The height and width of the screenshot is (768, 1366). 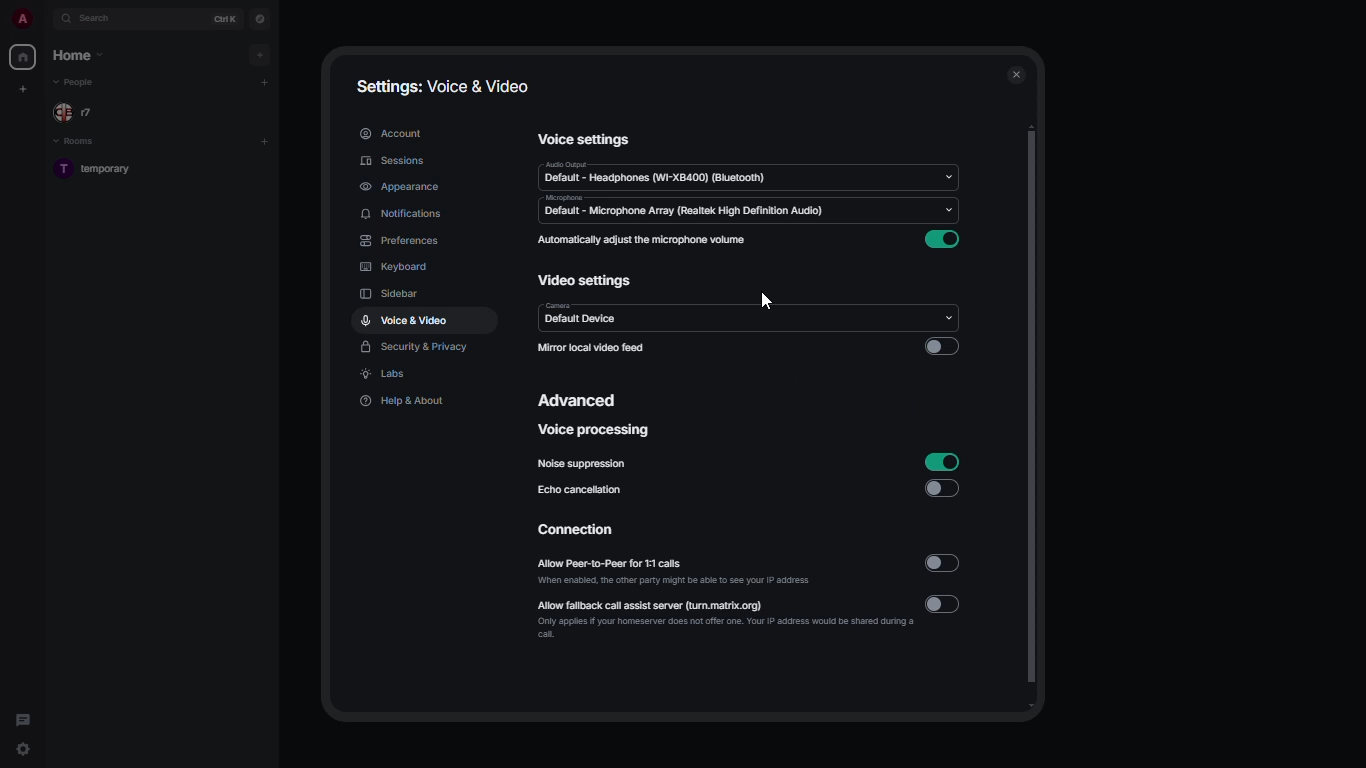 What do you see at coordinates (944, 563) in the screenshot?
I see `disabled` at bounding box center [944, 563].